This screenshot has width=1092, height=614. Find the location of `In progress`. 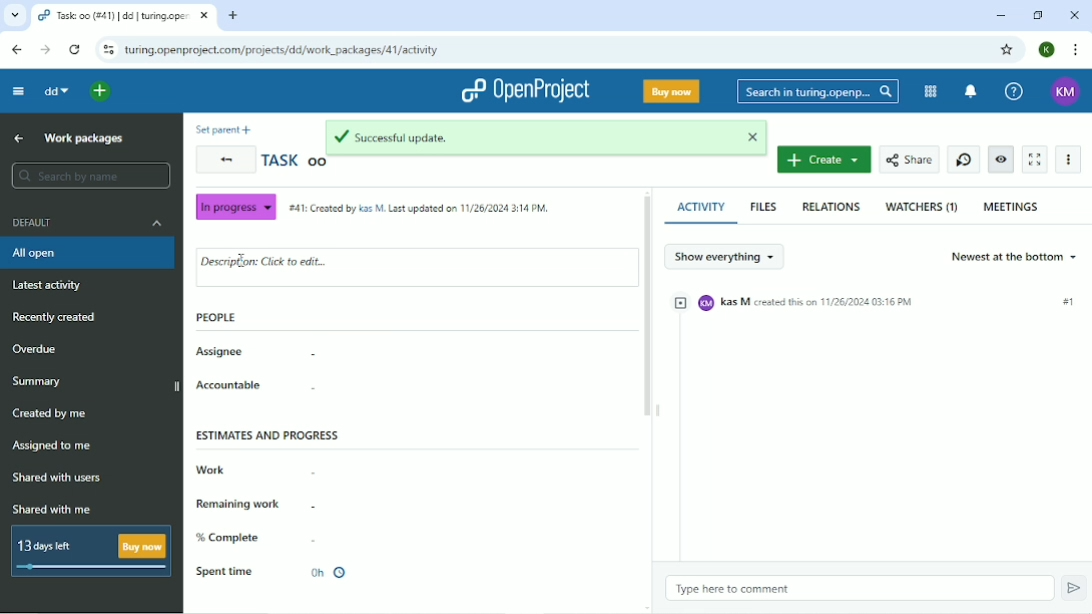

In progress is located at coordinates (235, 209).